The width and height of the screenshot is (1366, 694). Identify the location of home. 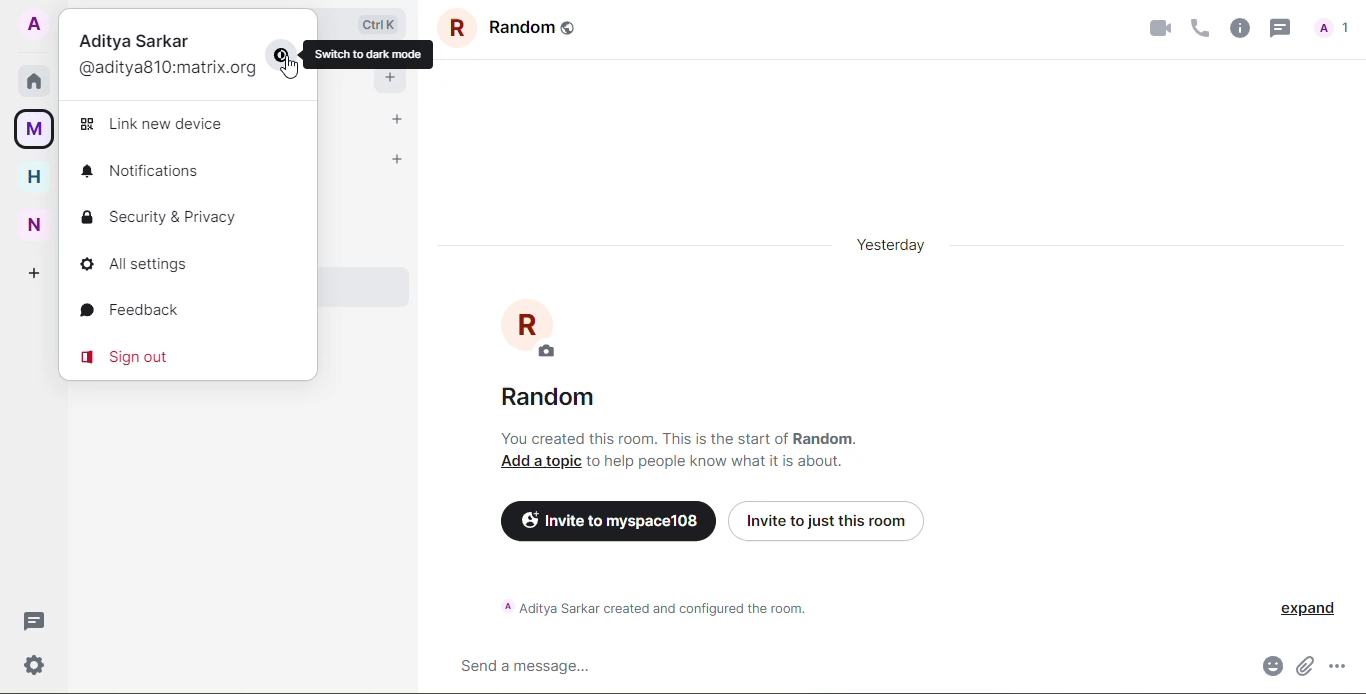
(33, 176).